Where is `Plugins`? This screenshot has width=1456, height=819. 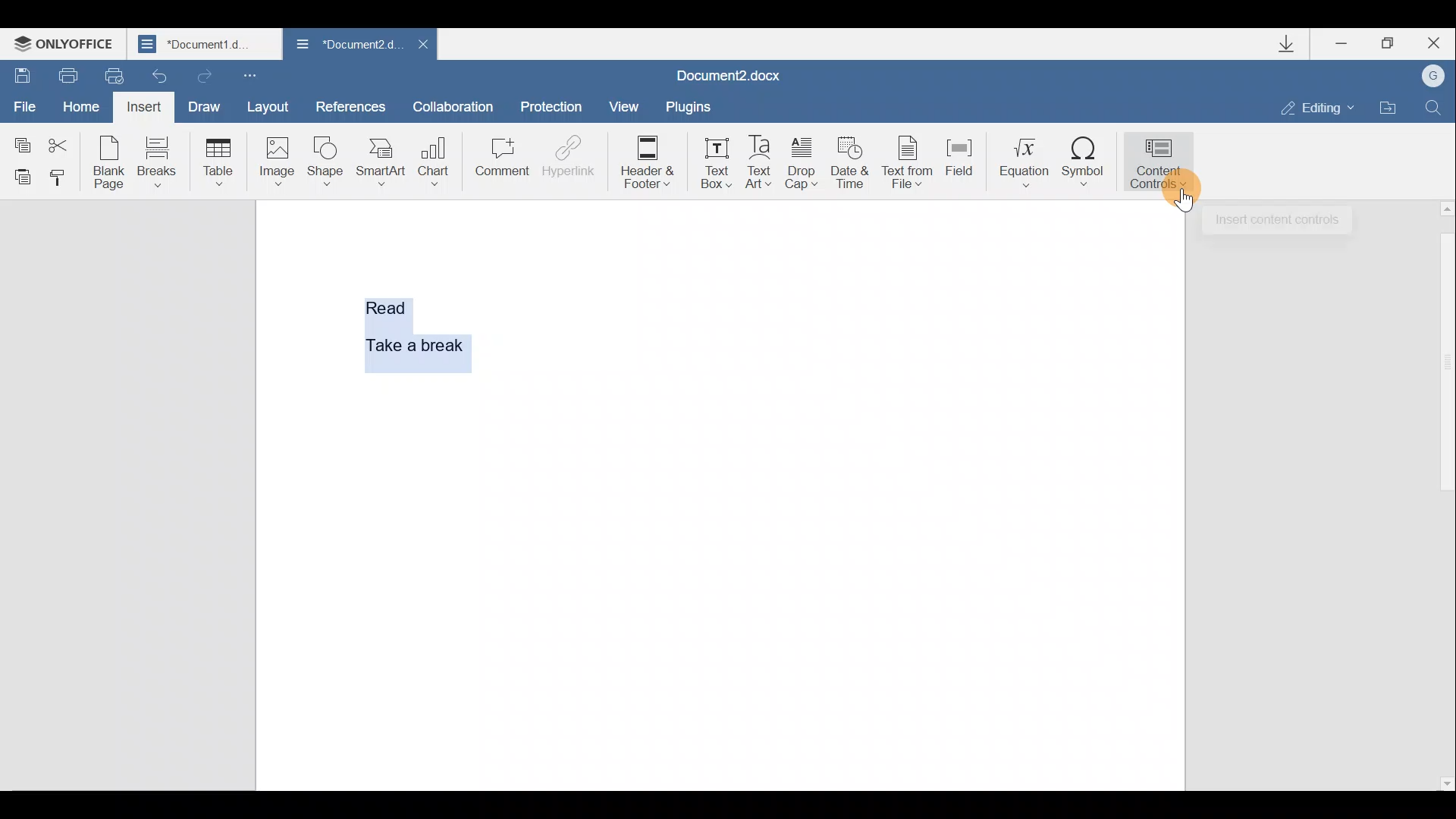 Plugins is located at coordinates (686, 106).